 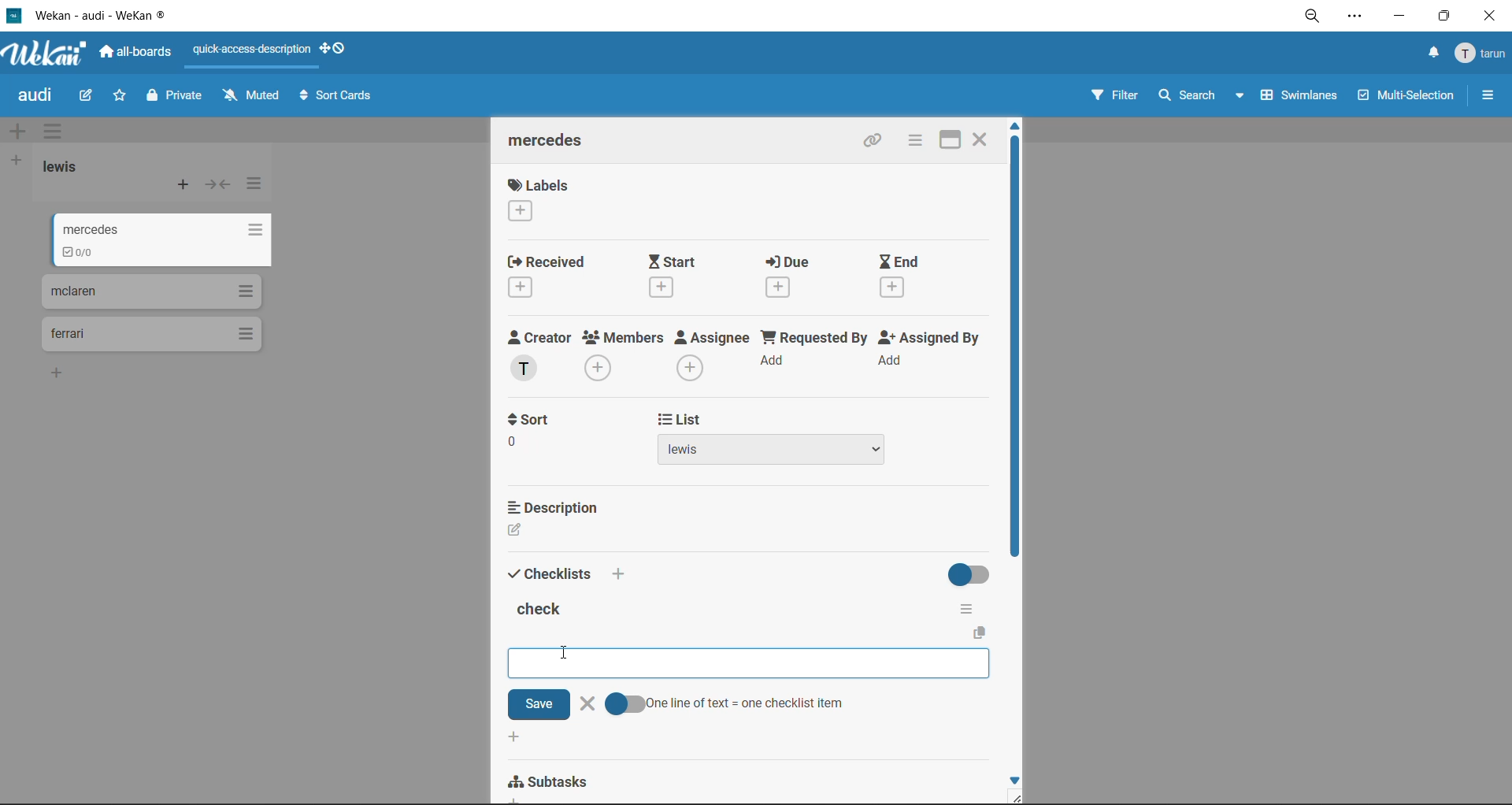 What do you see at coordinates (554, 505) in the screenshot?
I see `description` at bounding box center [554, 505].